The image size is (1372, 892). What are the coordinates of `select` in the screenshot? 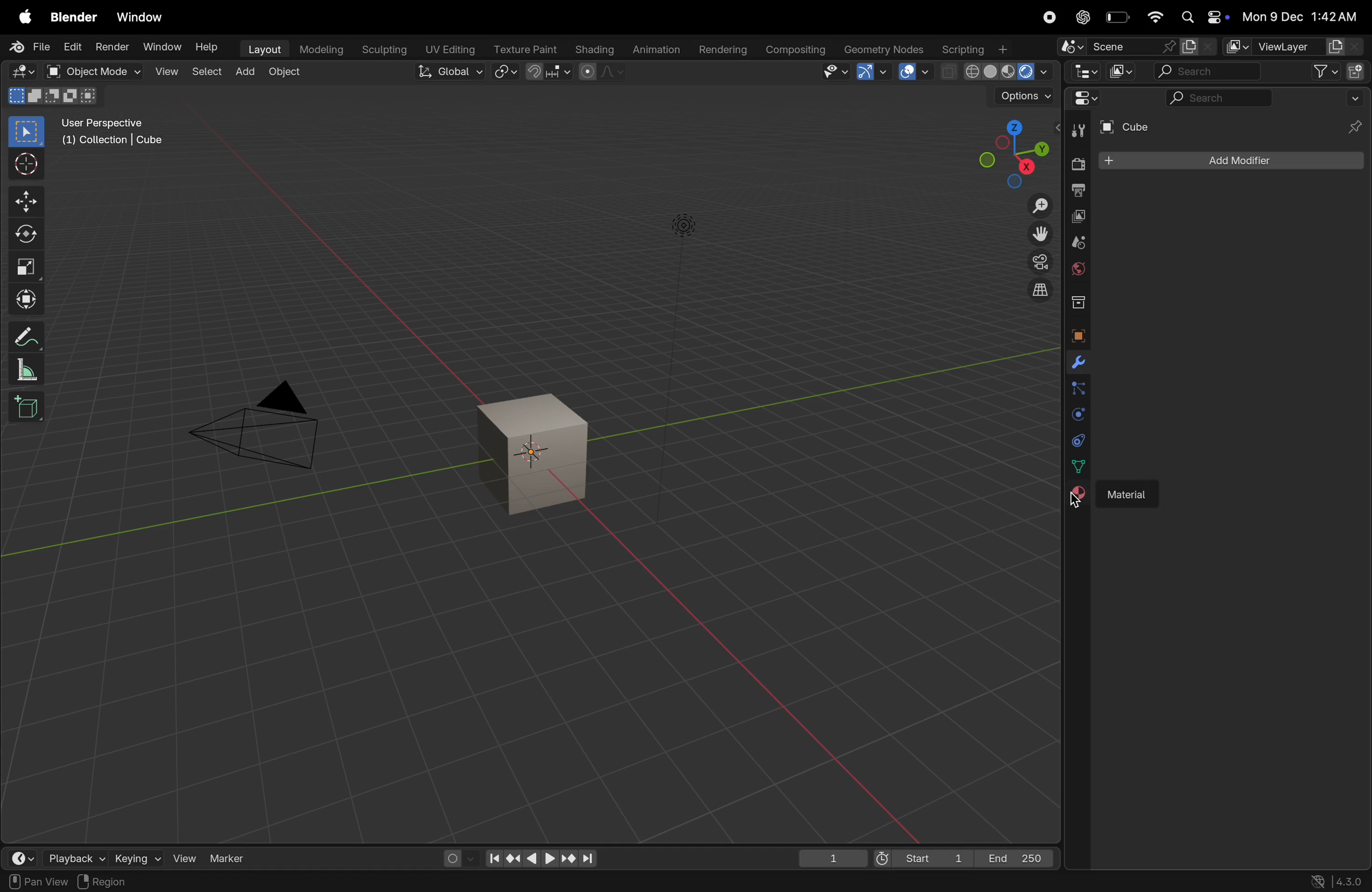 It's located at (207, 74).